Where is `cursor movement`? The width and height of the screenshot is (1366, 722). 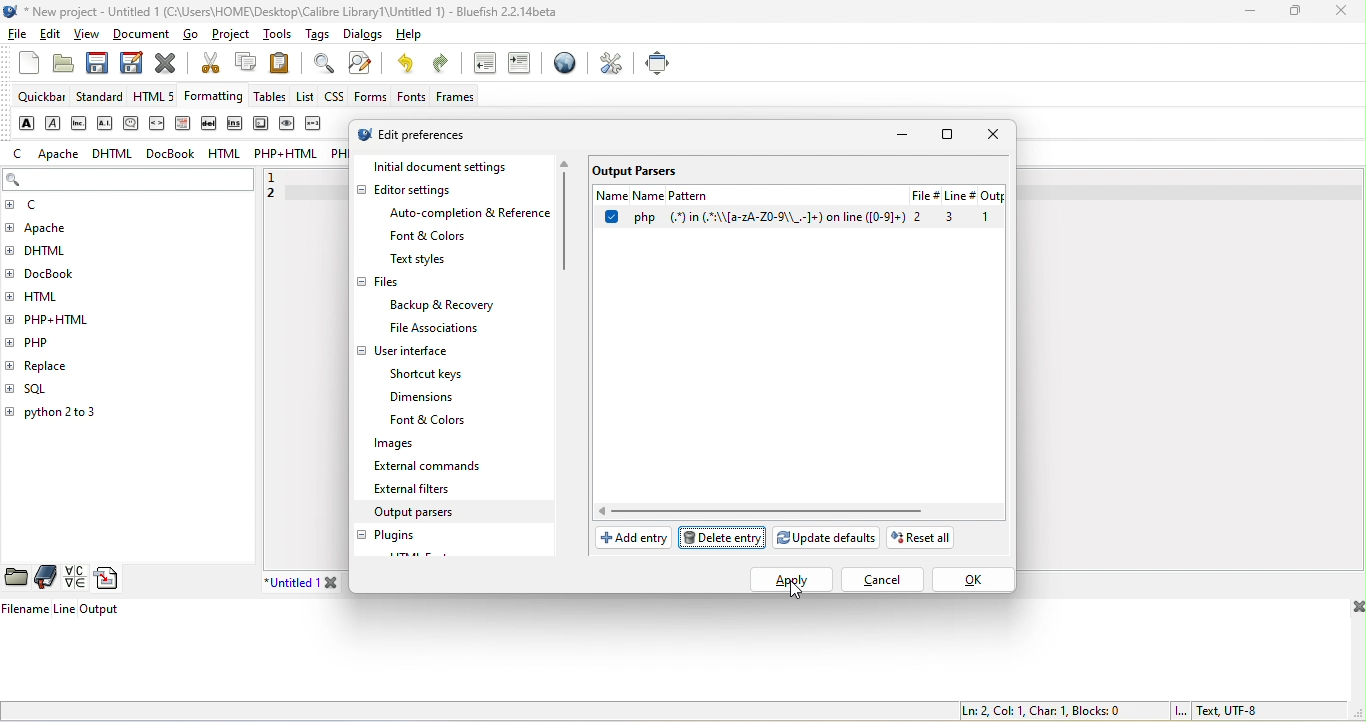
cursor movement is located at coordinates (800, 589).